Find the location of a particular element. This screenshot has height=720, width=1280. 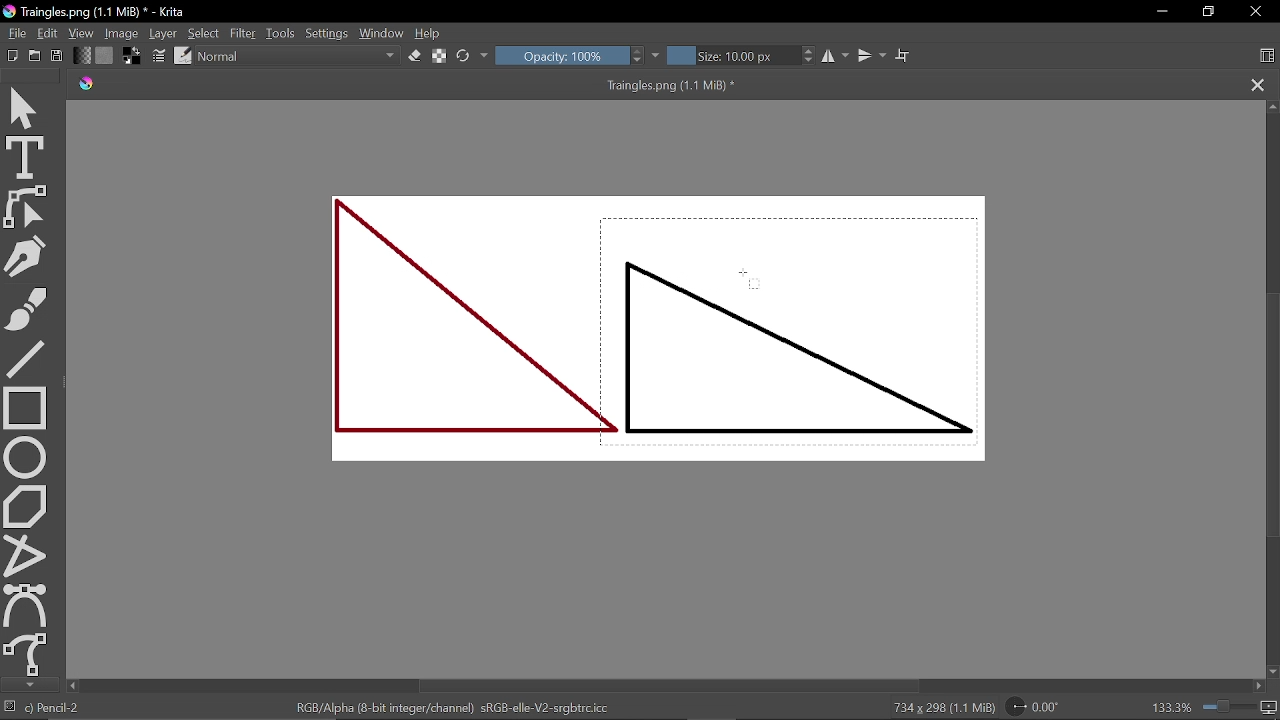

734 x 296 (1.1 MiB) is located at coordinates (940, 707).